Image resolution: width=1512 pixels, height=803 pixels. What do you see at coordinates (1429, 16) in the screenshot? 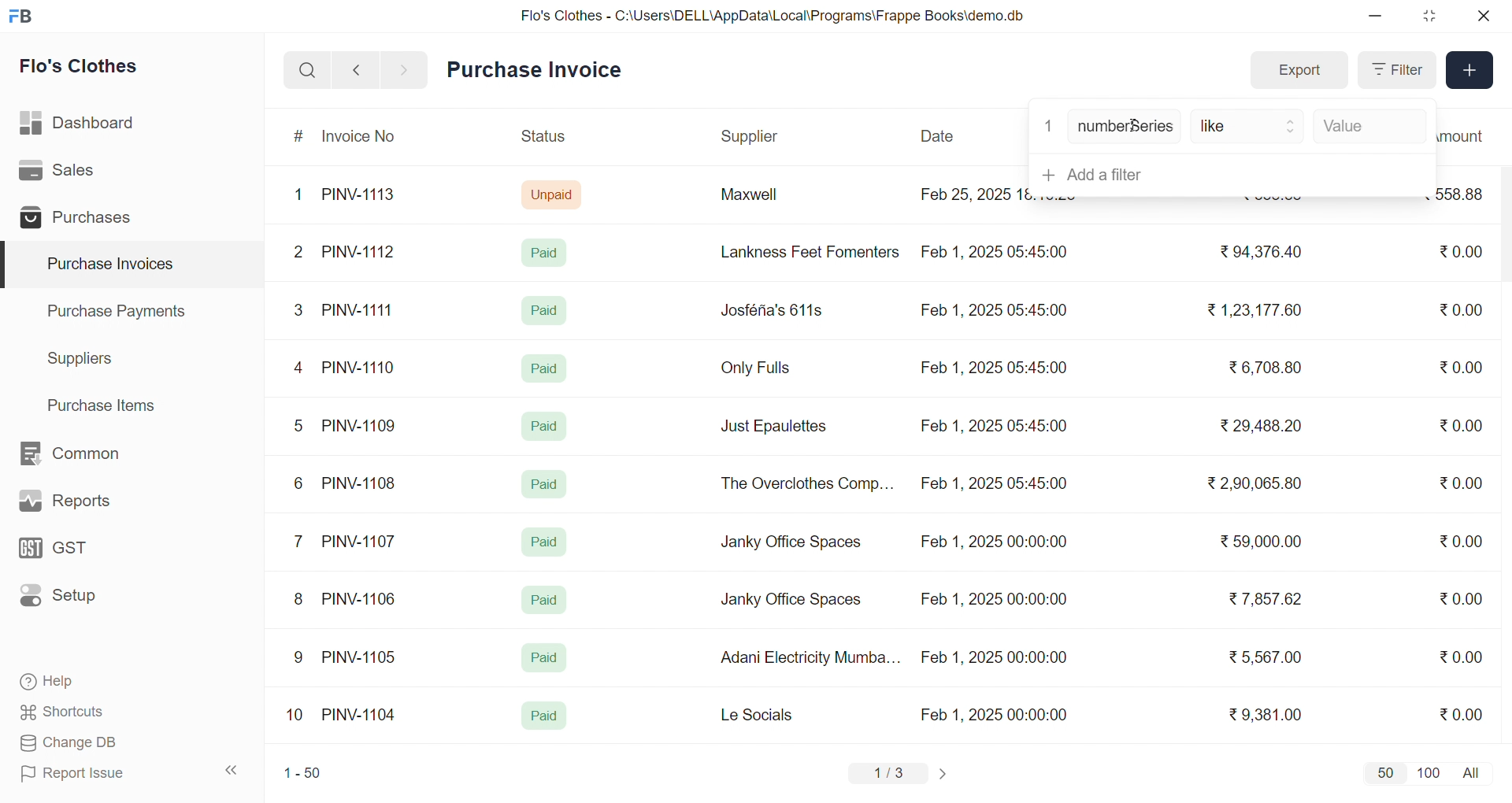
I see `resize` at bounding box center [1429, 16].